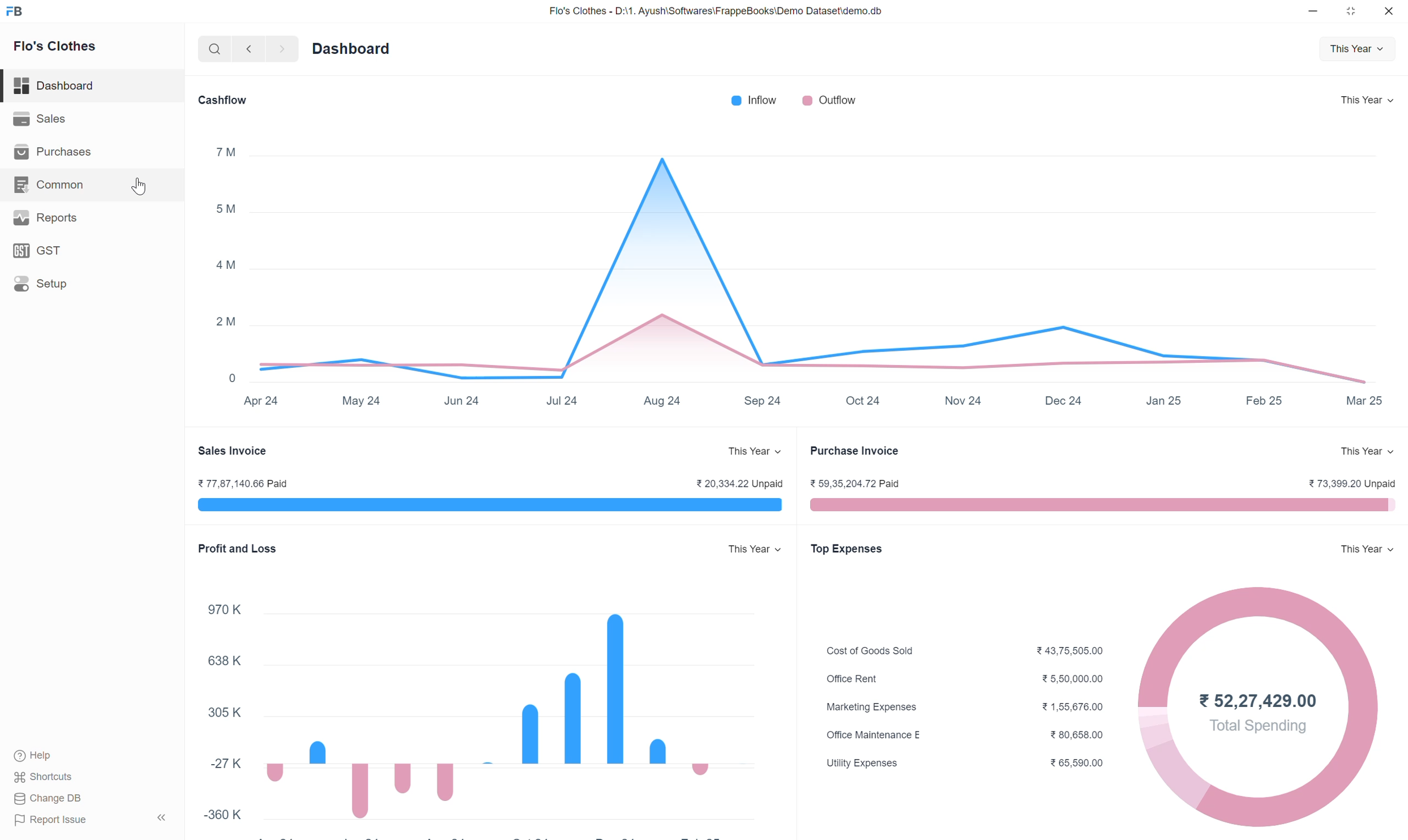 The image size is (1408, 840). What do you see at coordinates (1100, 498) in the screenshot?
I see `purchase invoice graph` at bounding box center [1100, 498].